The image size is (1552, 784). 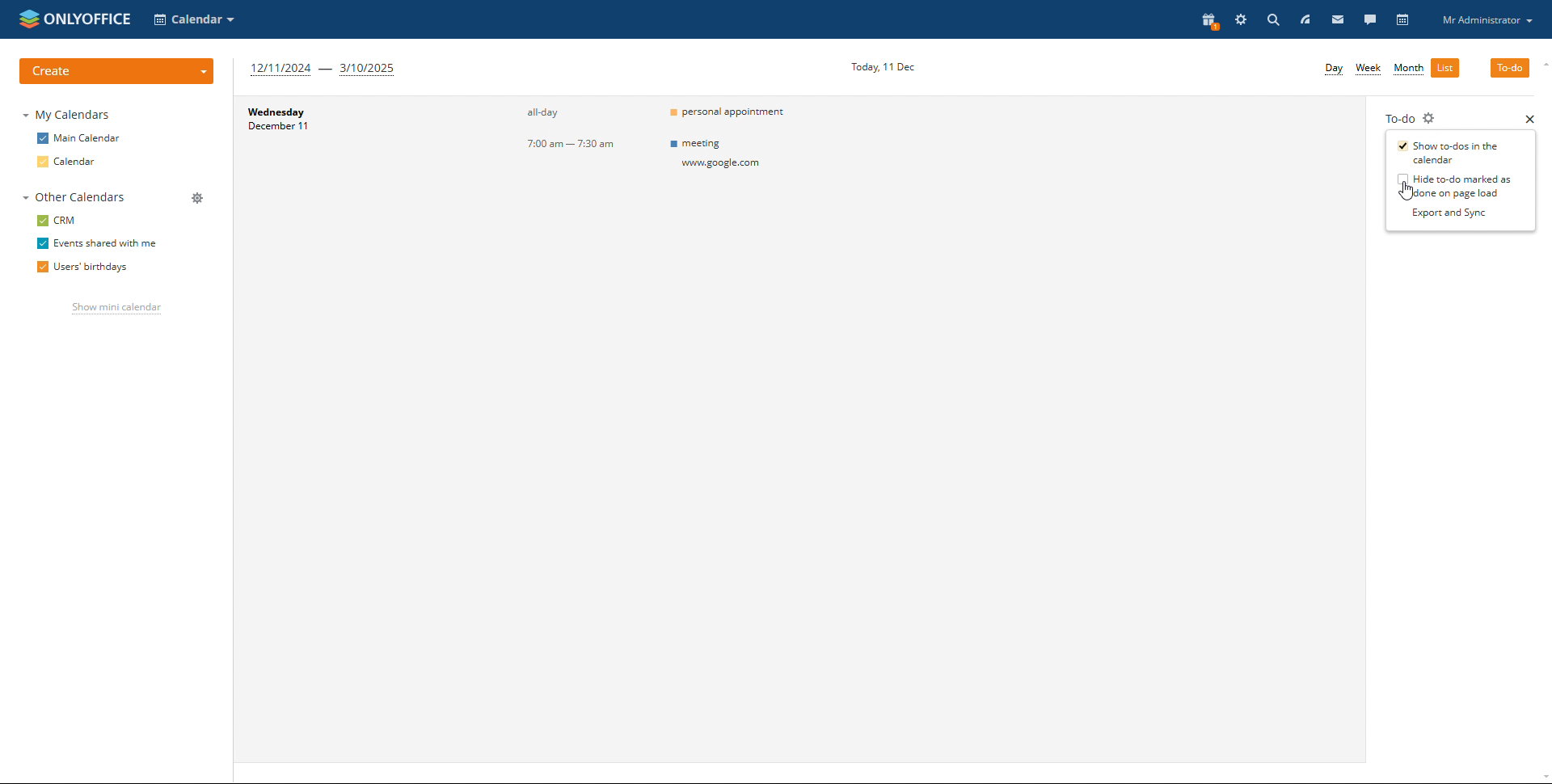 What do you see at coordinates (76, 138) in the screenshot?
I see `main calendar` at bounding box center [76, 138].